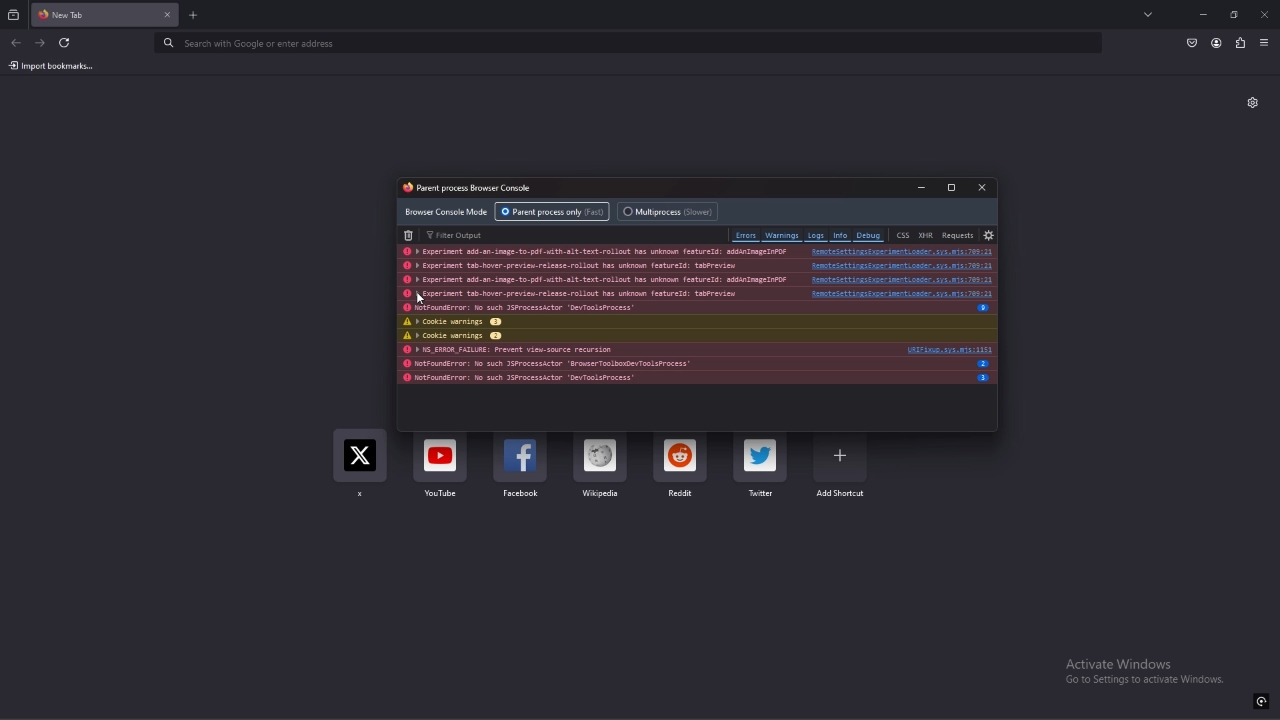 This screenshot has width=1280, height=720. What do you see at coordinates (521, 469) in the screenshot?
I see `facebook` at bounding box center [521, 469].